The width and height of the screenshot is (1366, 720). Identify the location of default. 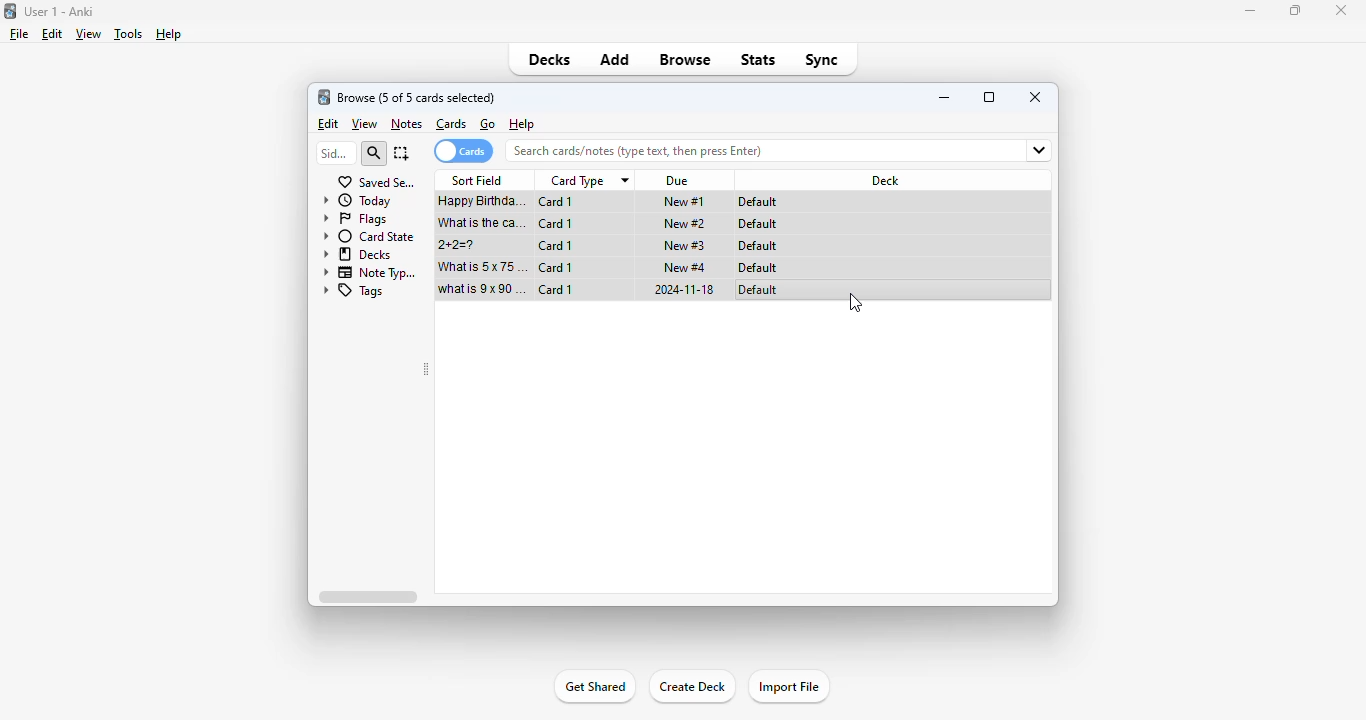
(757, 246).